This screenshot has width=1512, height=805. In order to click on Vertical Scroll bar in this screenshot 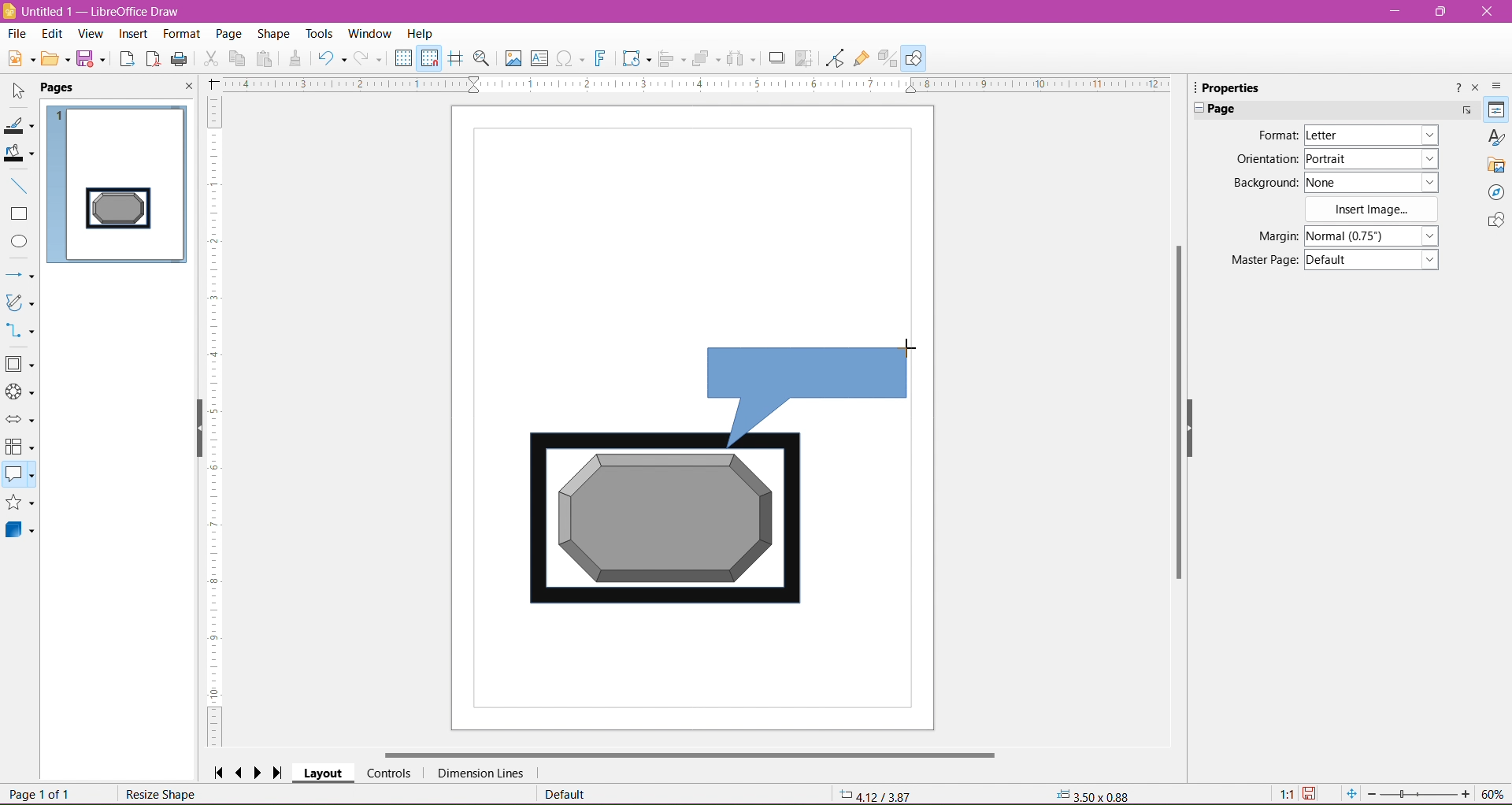, I will do `click(1178, 418)`.